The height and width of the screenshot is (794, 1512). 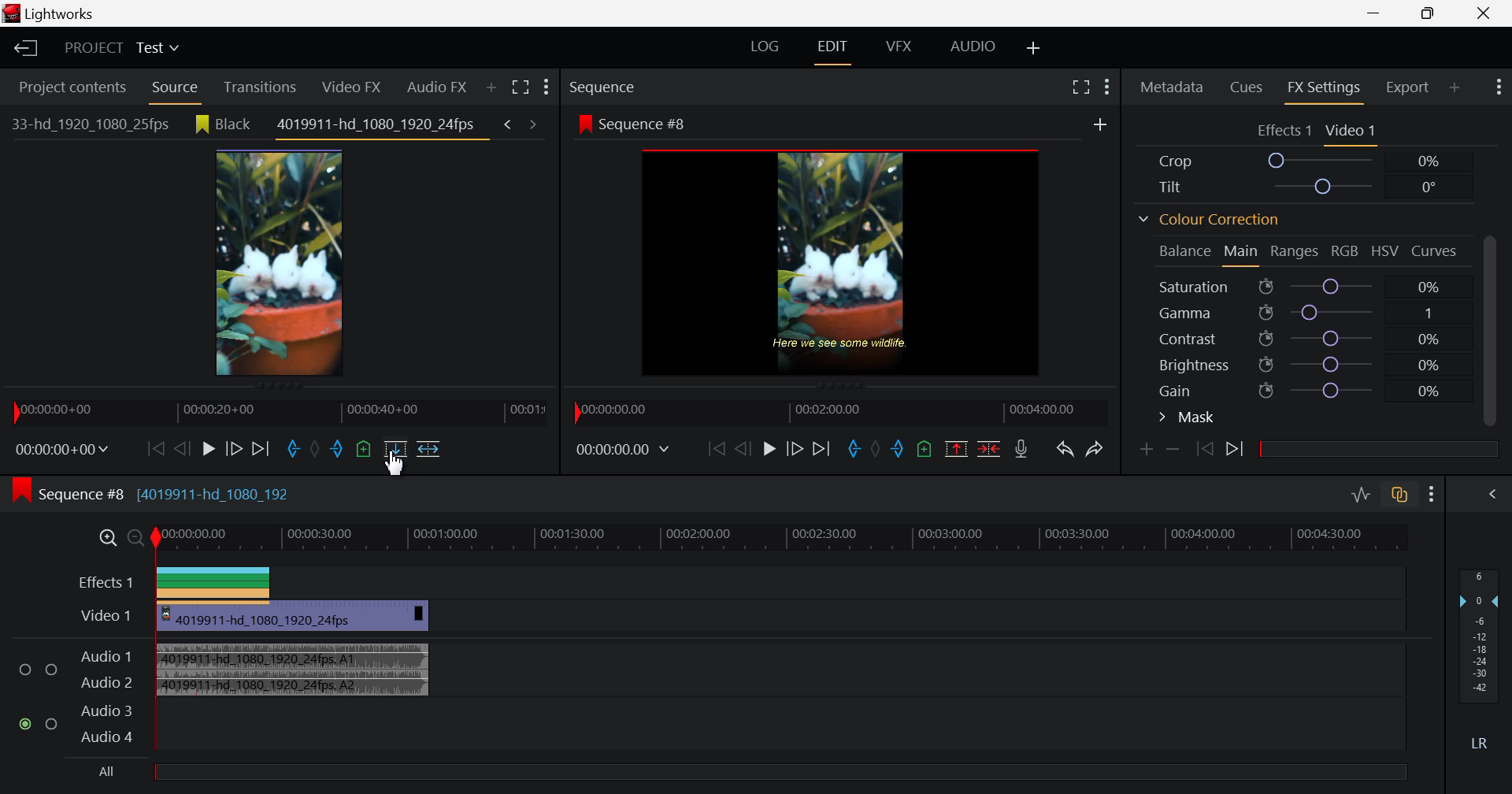 What do you see at coordinates (169, 493) in the screenshot?
I see `Sequence #8 [4019911-hd_1080_192` at bounding box center [169, 493].